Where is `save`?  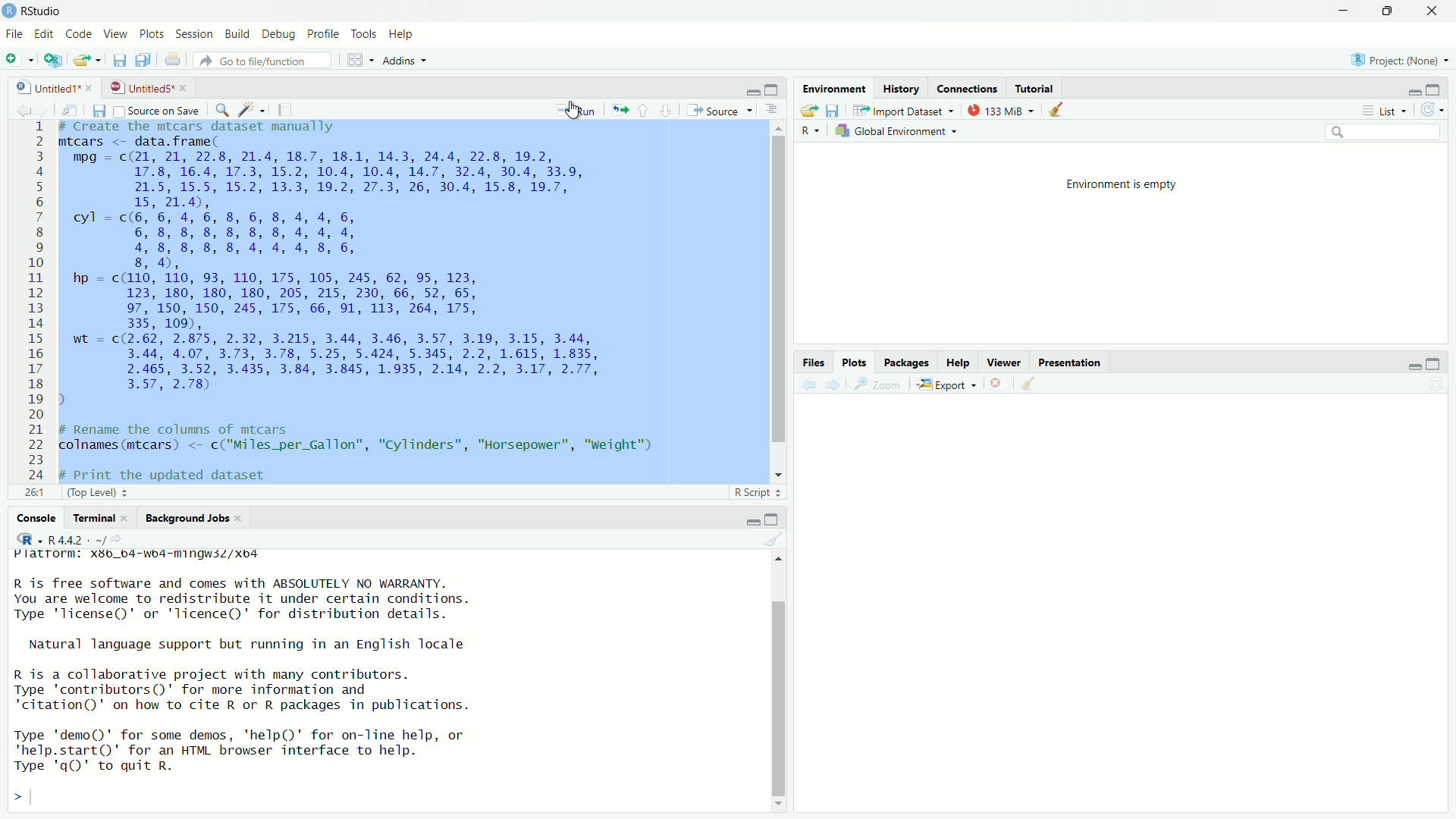
save is located at coordinates (118, 60).